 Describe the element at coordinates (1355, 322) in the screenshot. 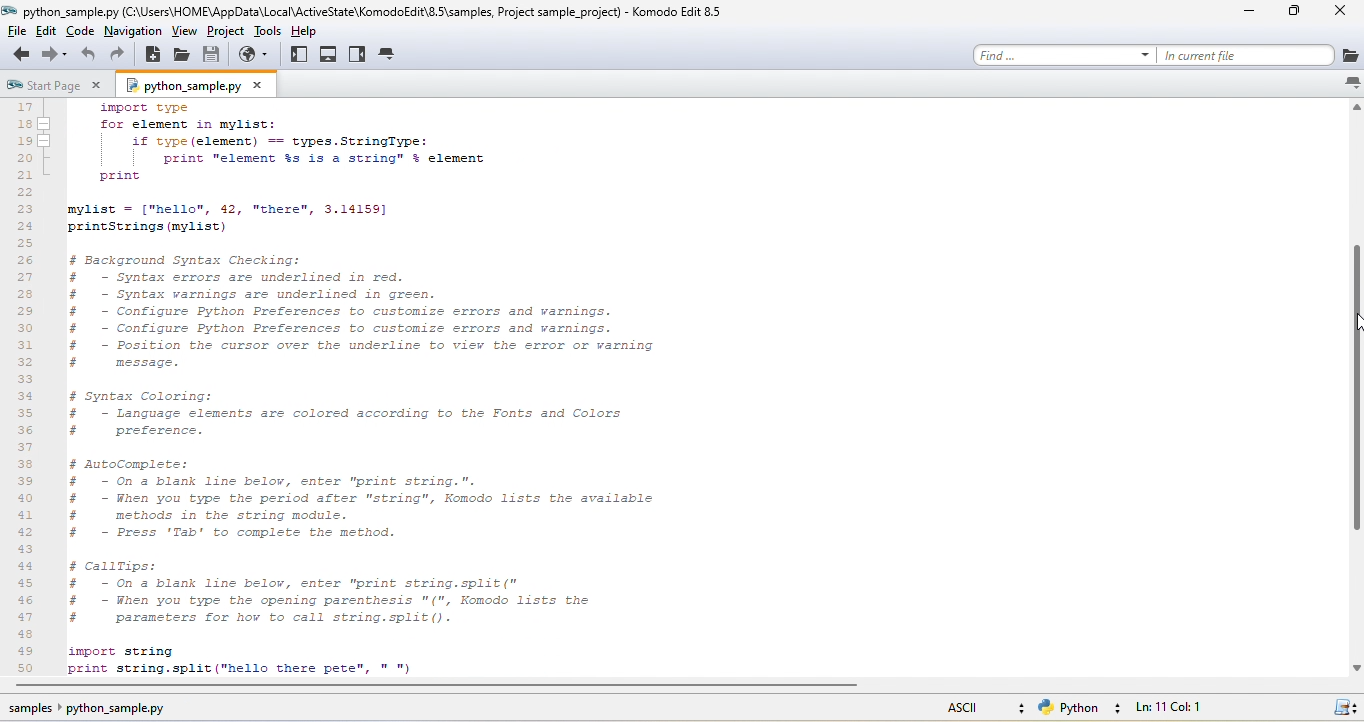

I see `cursor at mouse up` at that location.